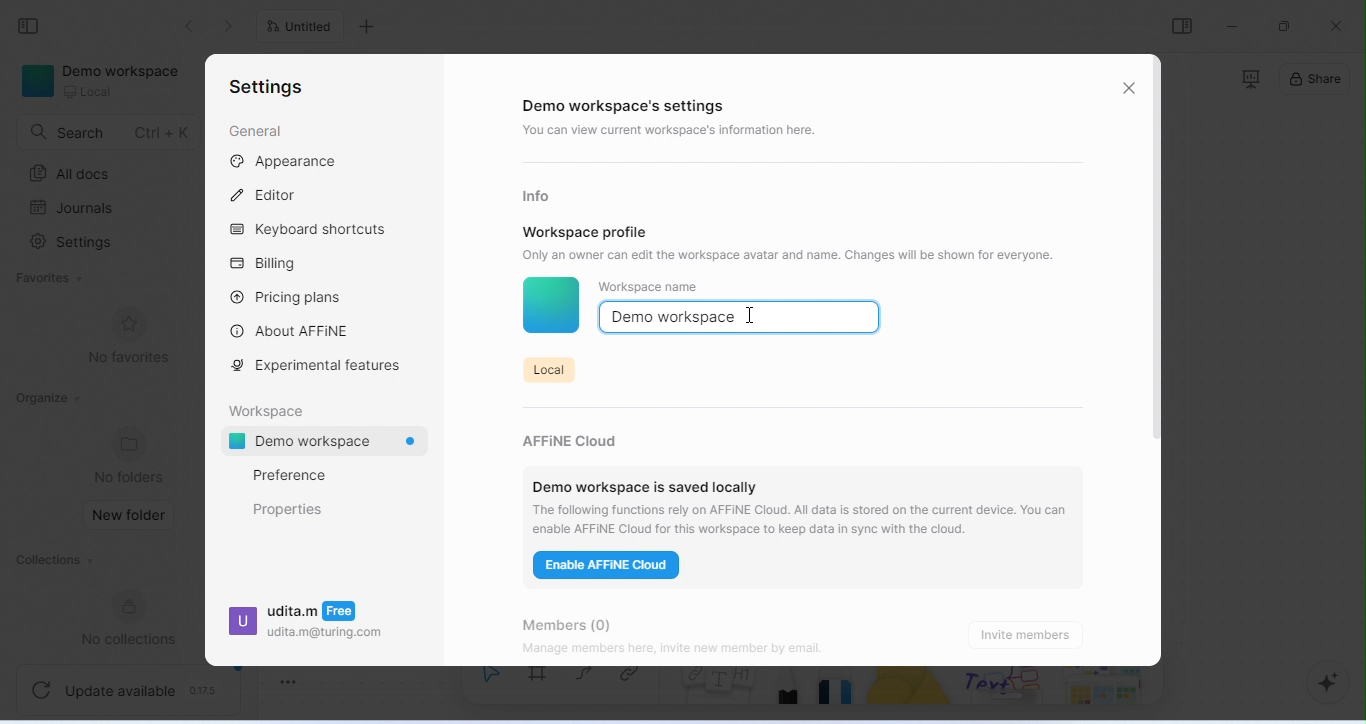 The width and height of the screenshot is (1366, 724). I want to click on demo workspace is saved locally, so click(645, 481).